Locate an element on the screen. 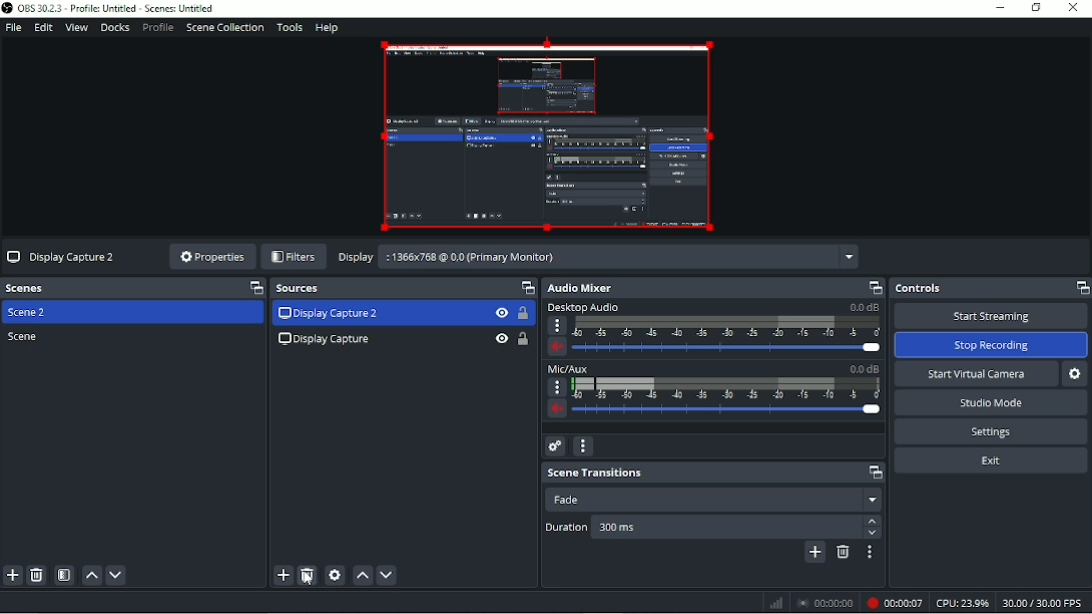 This screenshot has height=614, width=1092. Audio Mixer is located at coordinates (714, 287).